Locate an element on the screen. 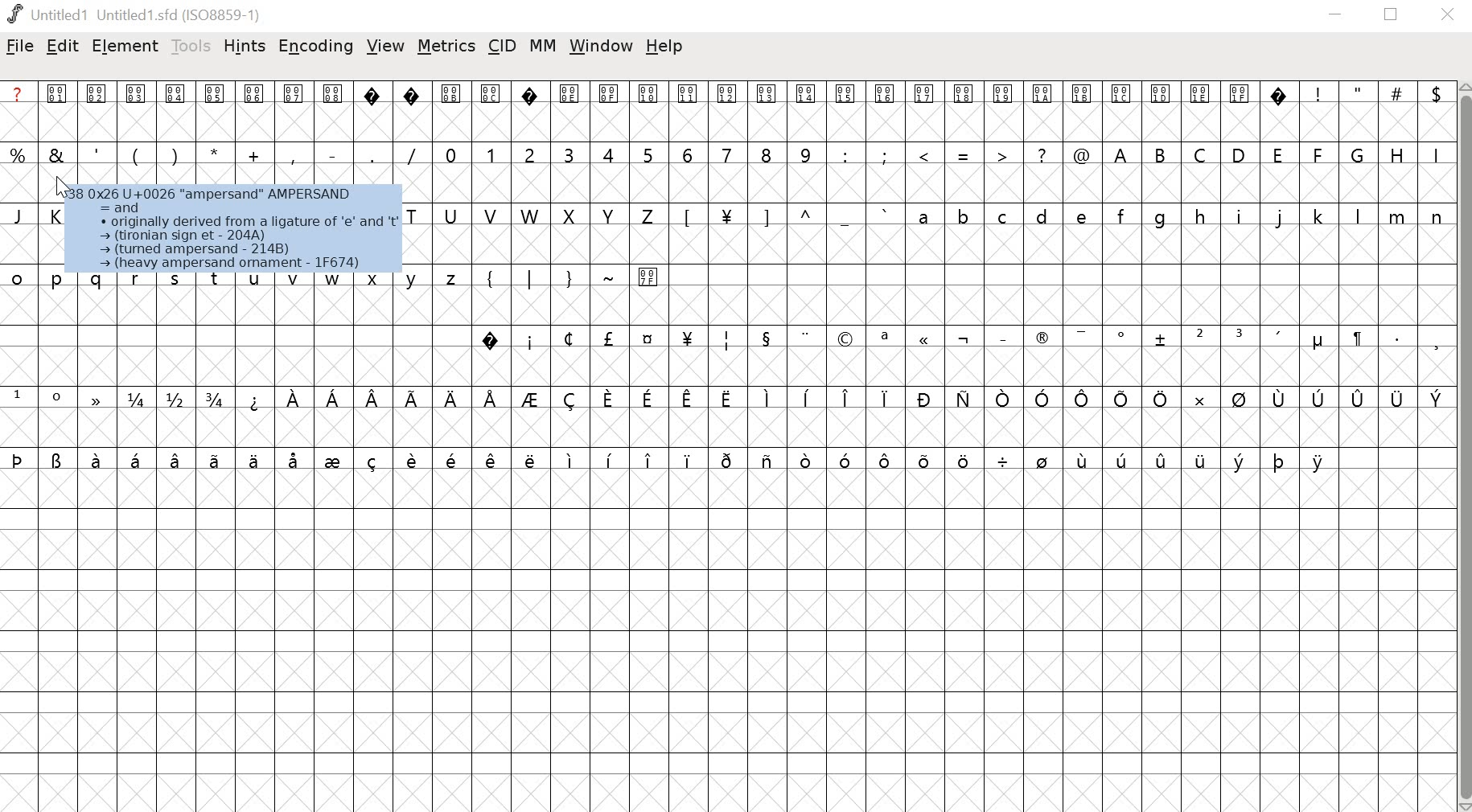 The height and width of the screenshot is (812, 1472). cid is located at coordinates (504, 45).